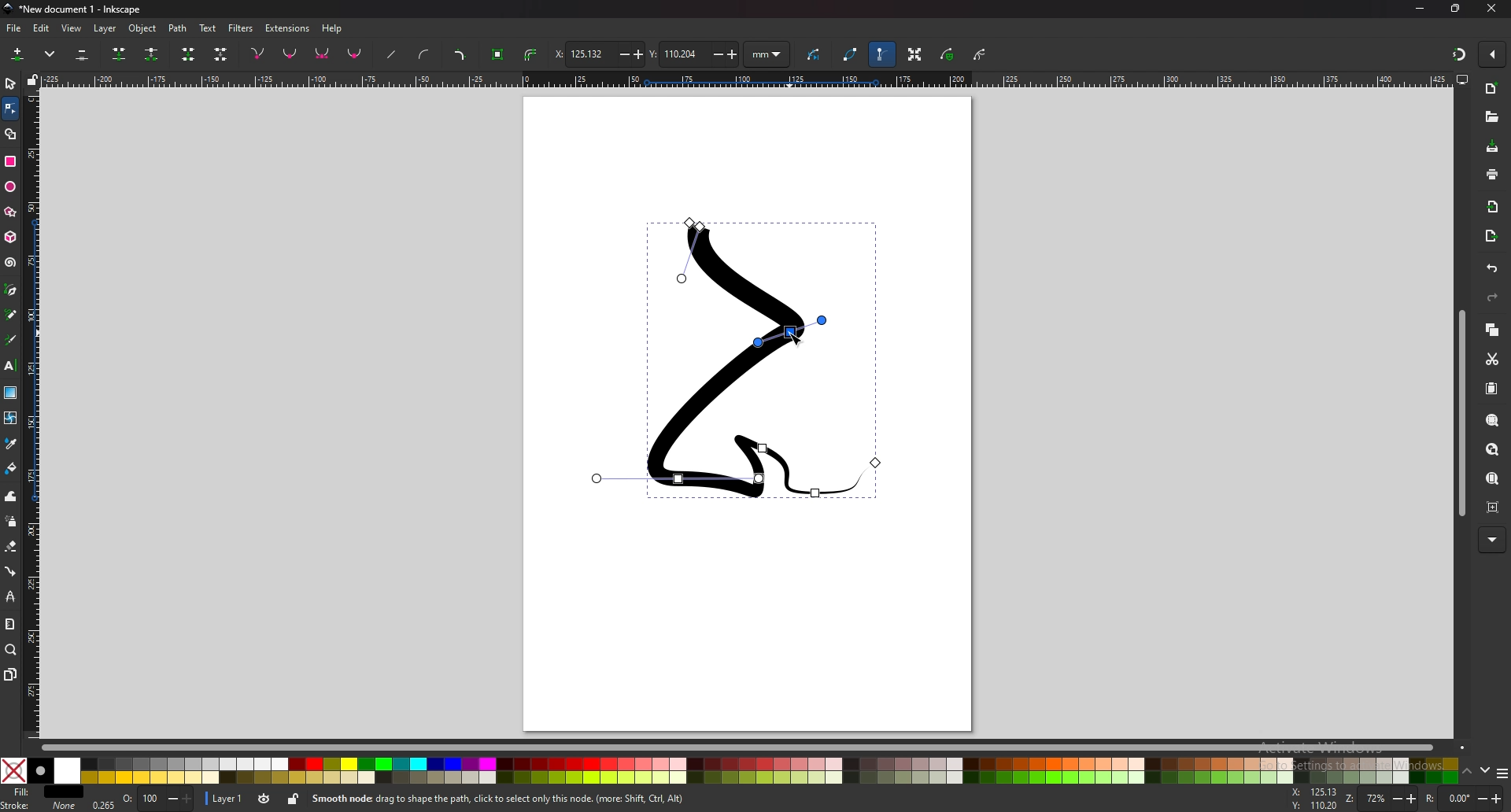 The image size is (1511, 812). Describe the element at coordinates (288, 27) in the screenshot. I see `extensions` at that location.